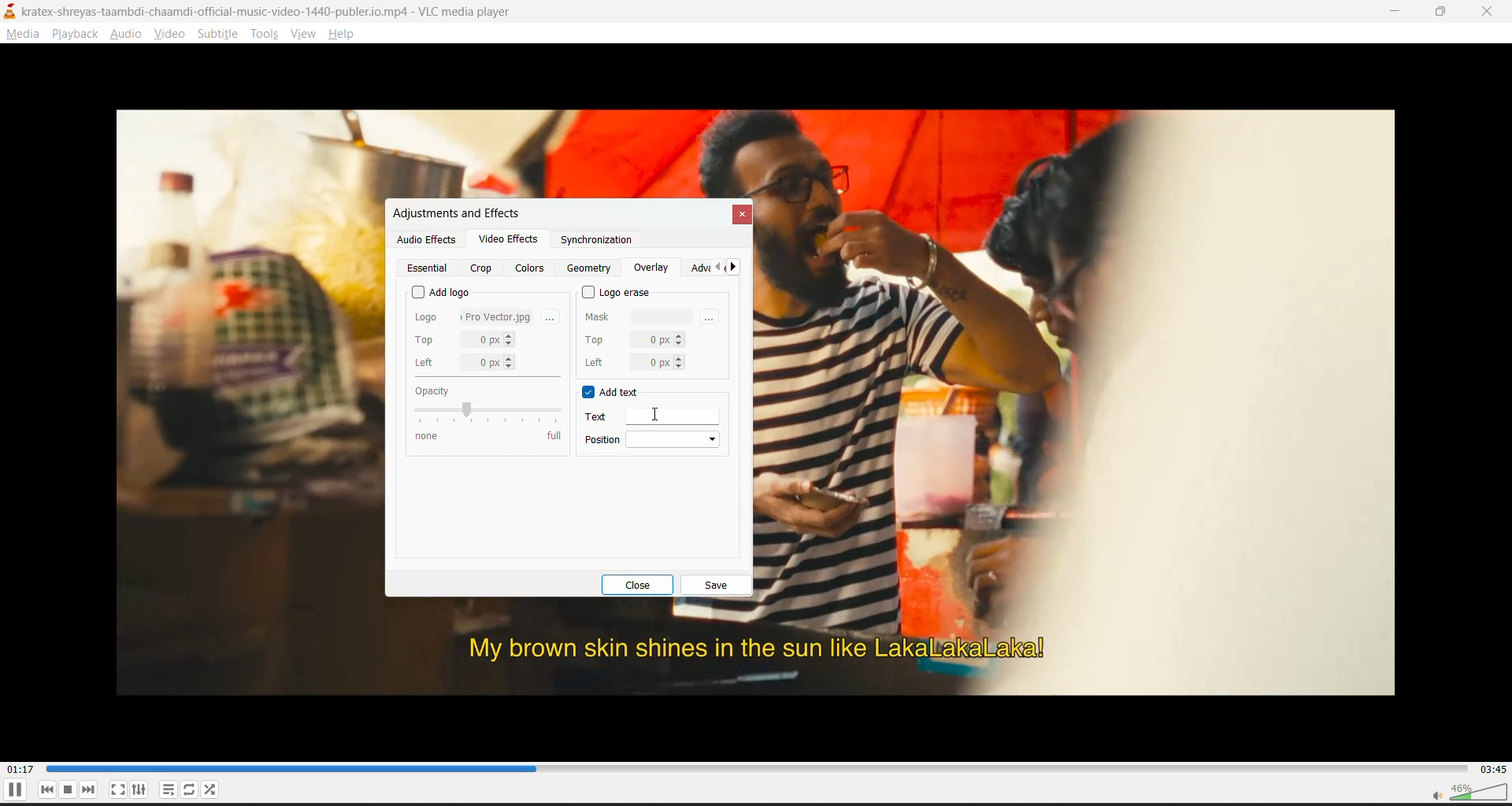 The image size is (1512, 806). I want to click on maximize, so click(1446, 13).